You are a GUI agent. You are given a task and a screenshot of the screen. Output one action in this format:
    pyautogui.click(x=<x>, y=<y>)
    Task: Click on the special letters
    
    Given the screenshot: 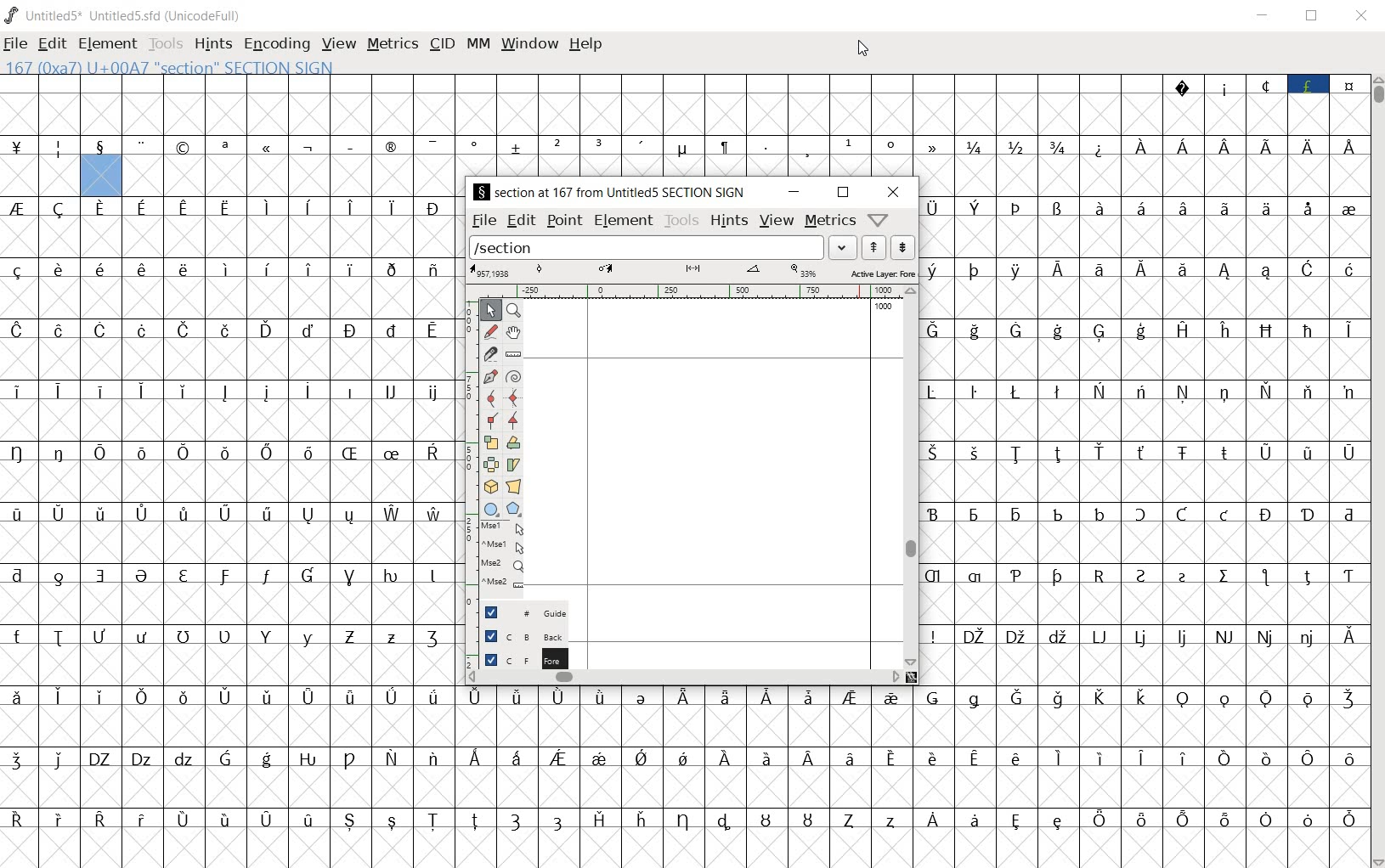 What is the action you would take?
    pyautogui.click(x=1144, y=390)
    